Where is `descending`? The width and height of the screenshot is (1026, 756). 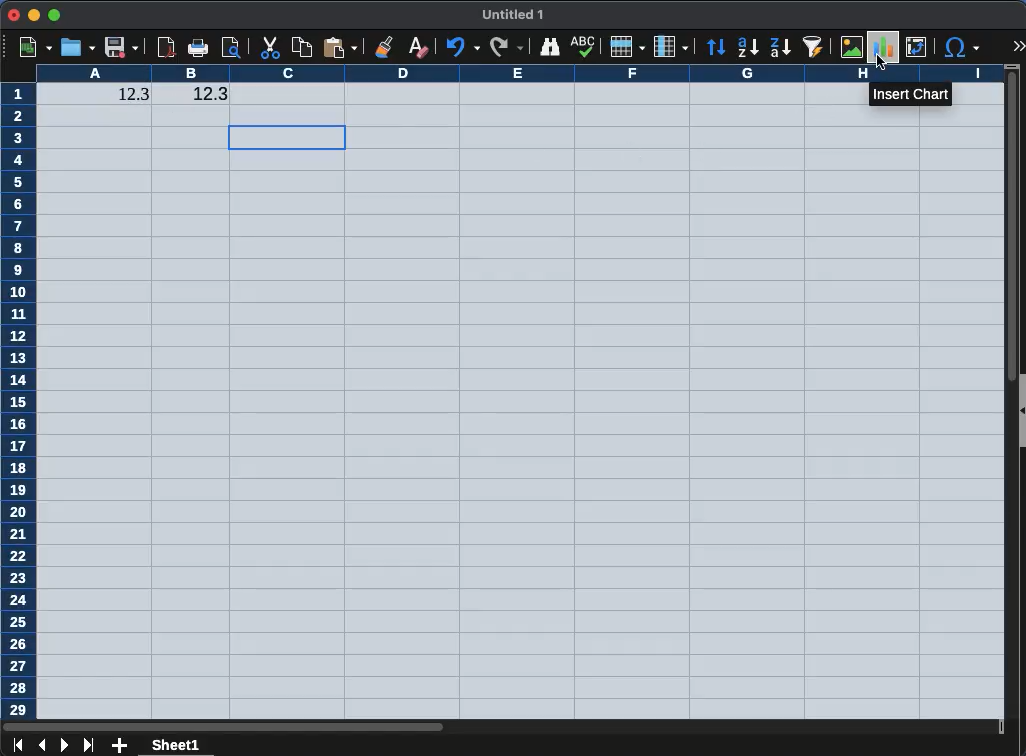
descending is located at coordinates (780, 48).